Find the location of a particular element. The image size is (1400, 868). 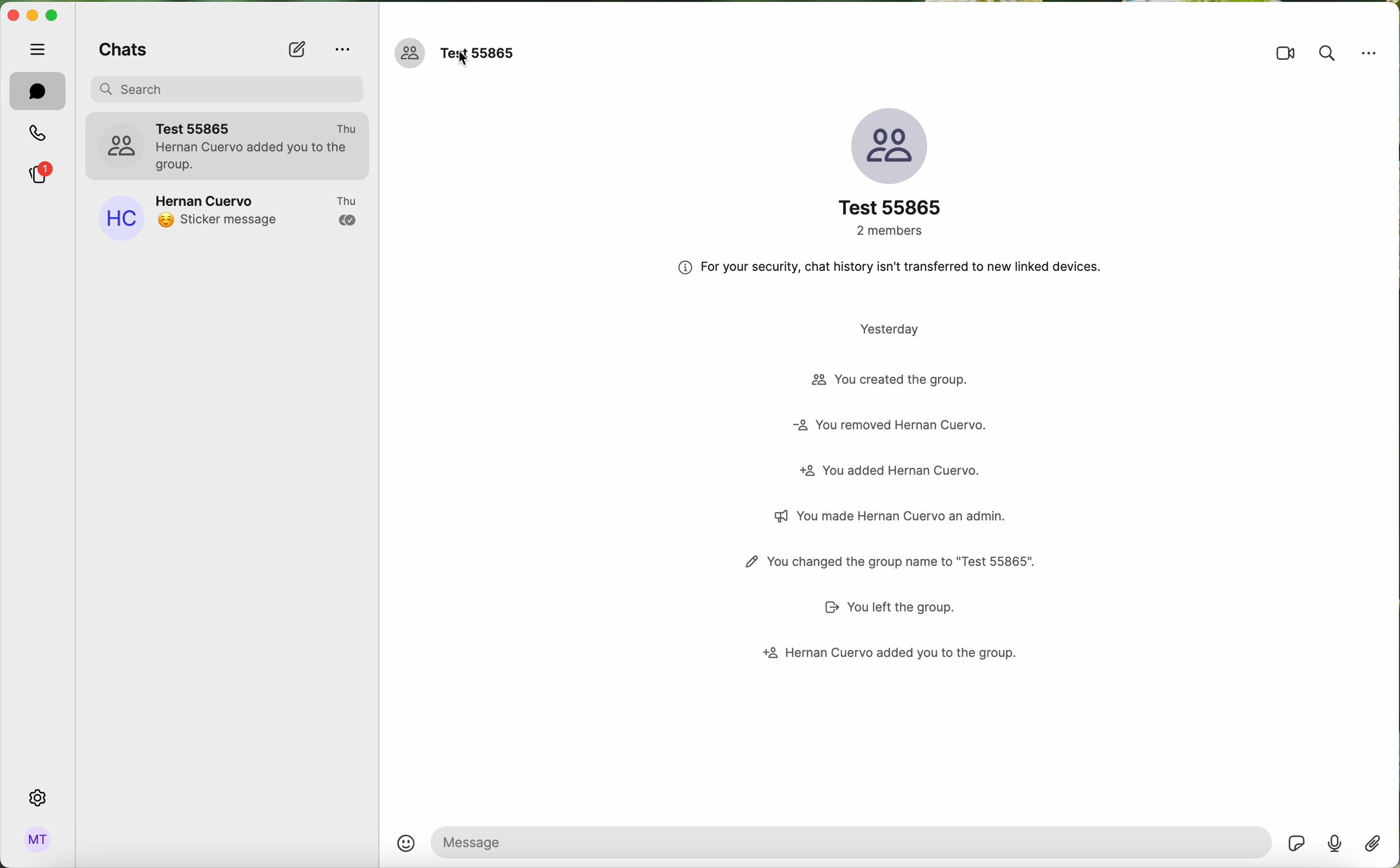

safety message is located at coordinates (891, 266).